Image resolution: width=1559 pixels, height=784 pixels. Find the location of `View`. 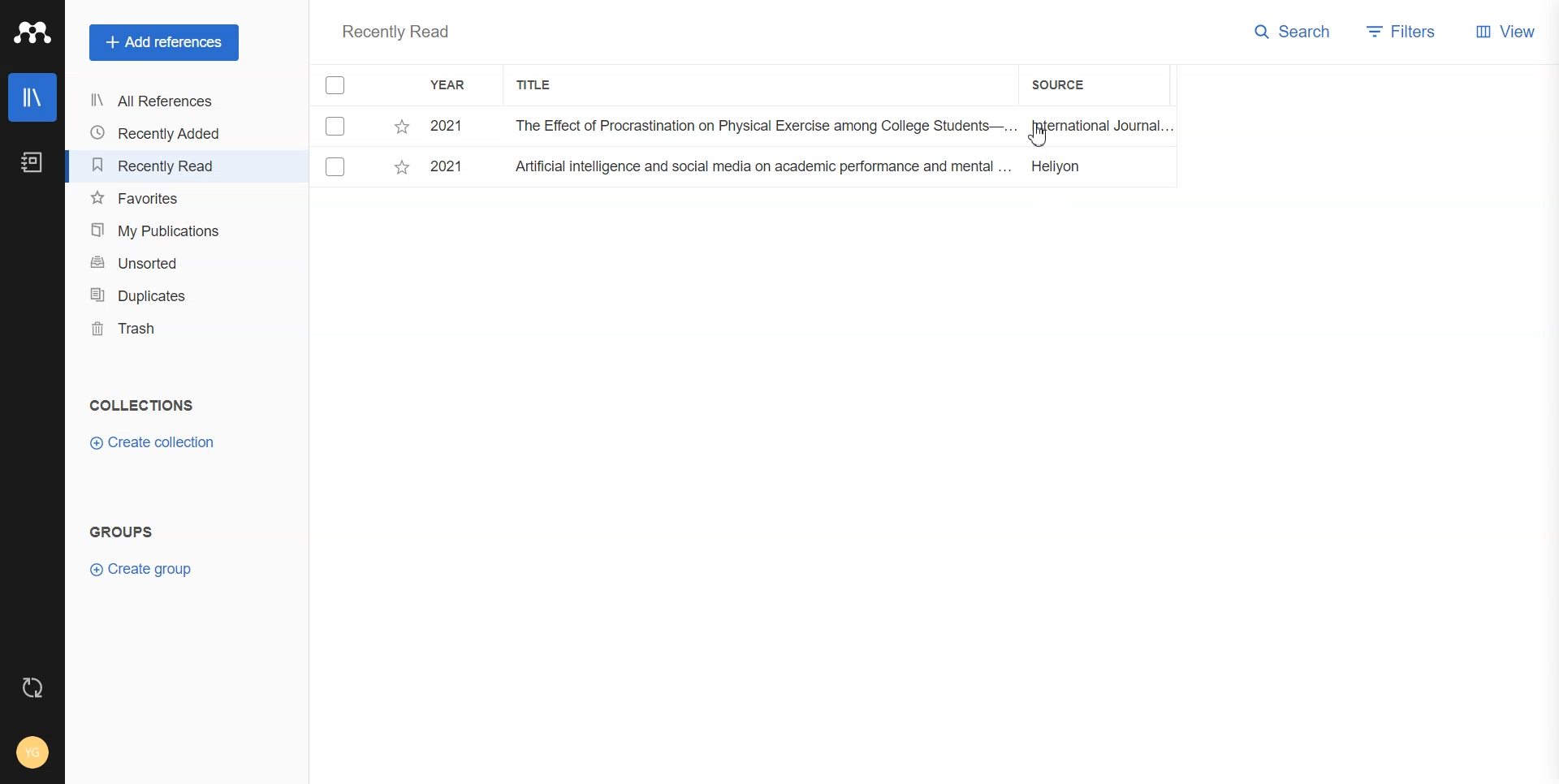

View is located at coordinates (1505, 30).